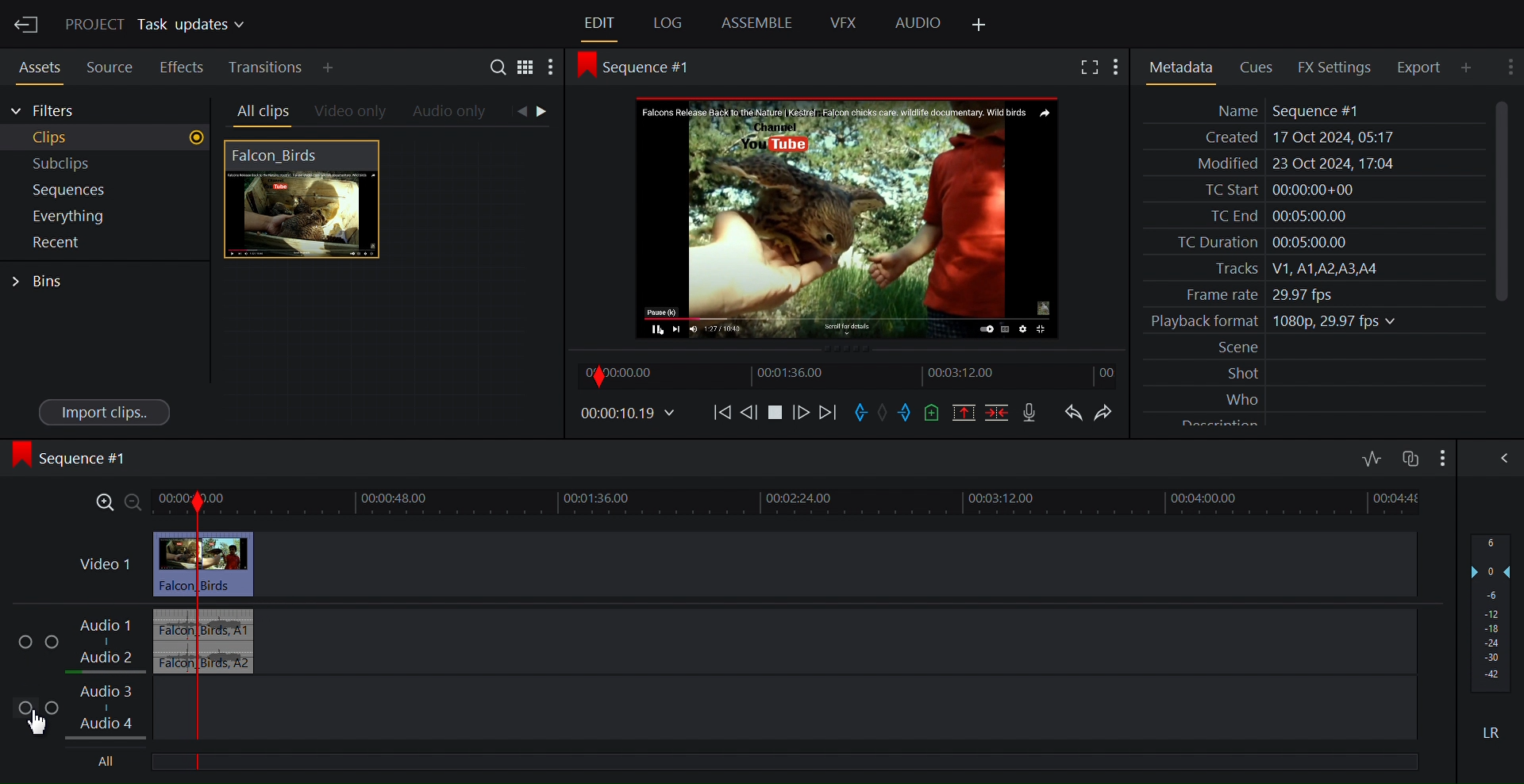  I want to click on Show recent in the current project, so click(103, 243).